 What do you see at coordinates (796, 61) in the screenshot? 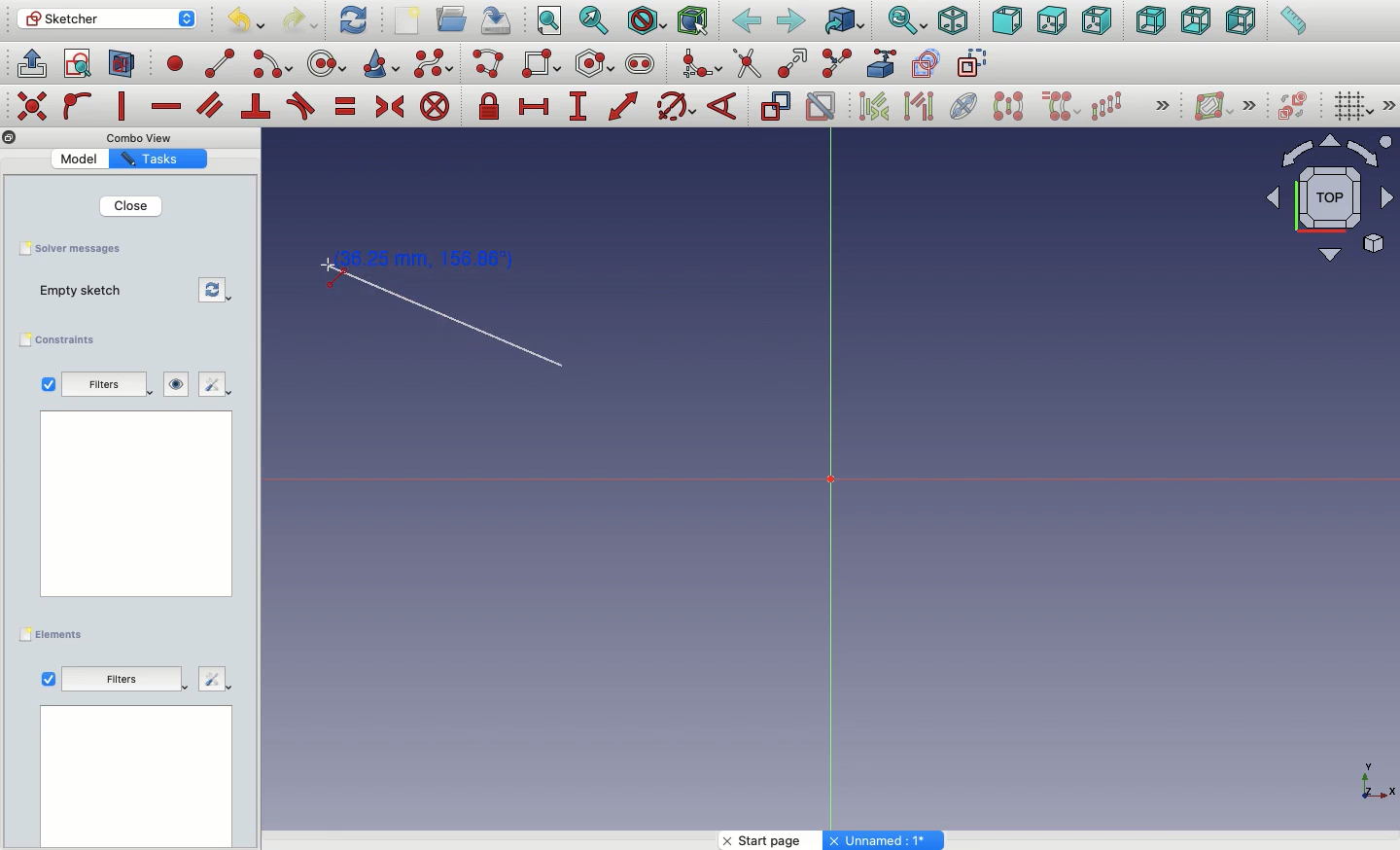
I see `Extend edge` at bounding box center [796, 61].